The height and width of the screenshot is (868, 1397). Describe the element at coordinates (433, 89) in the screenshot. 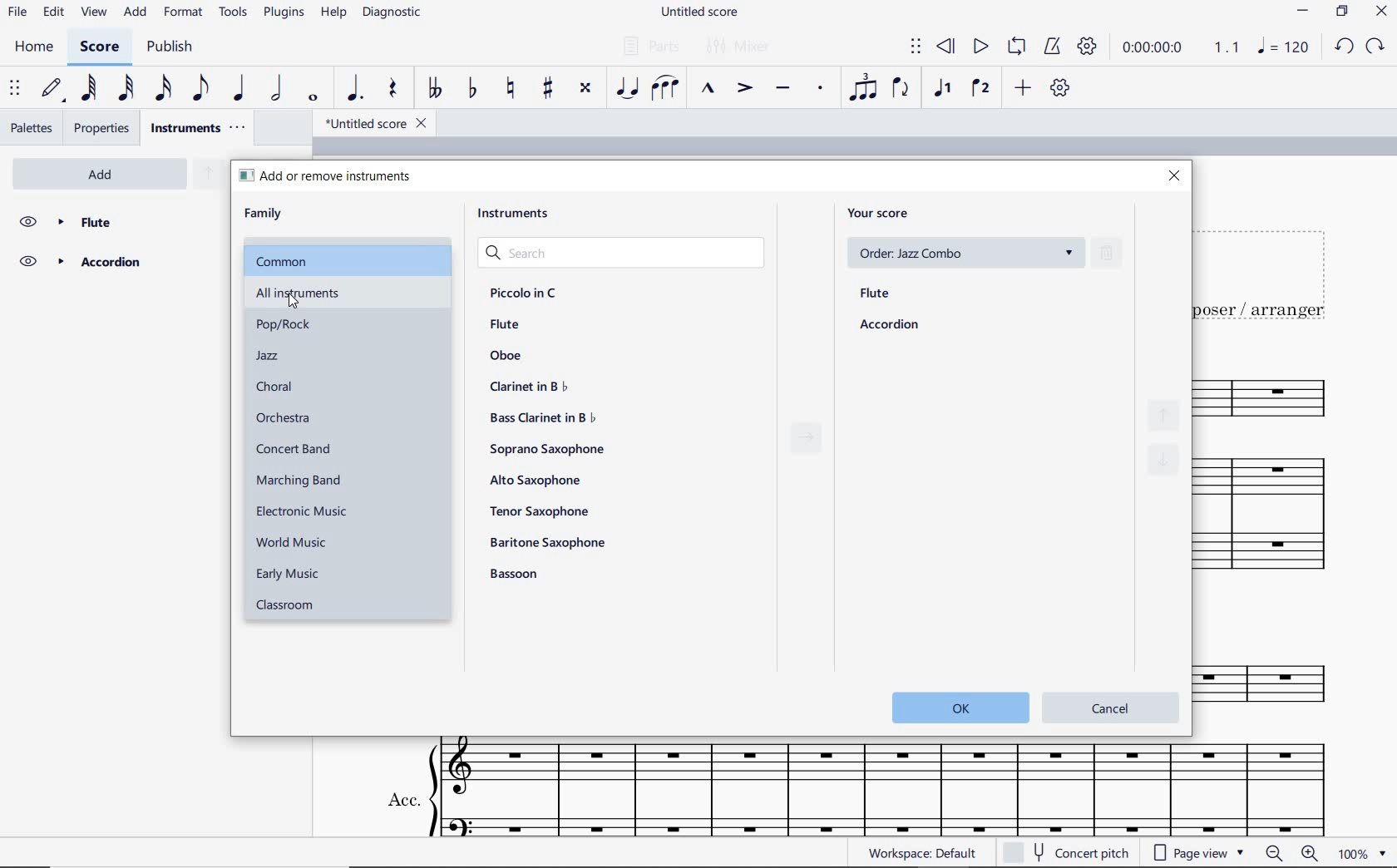

I see `toggle double-flat` at that location.